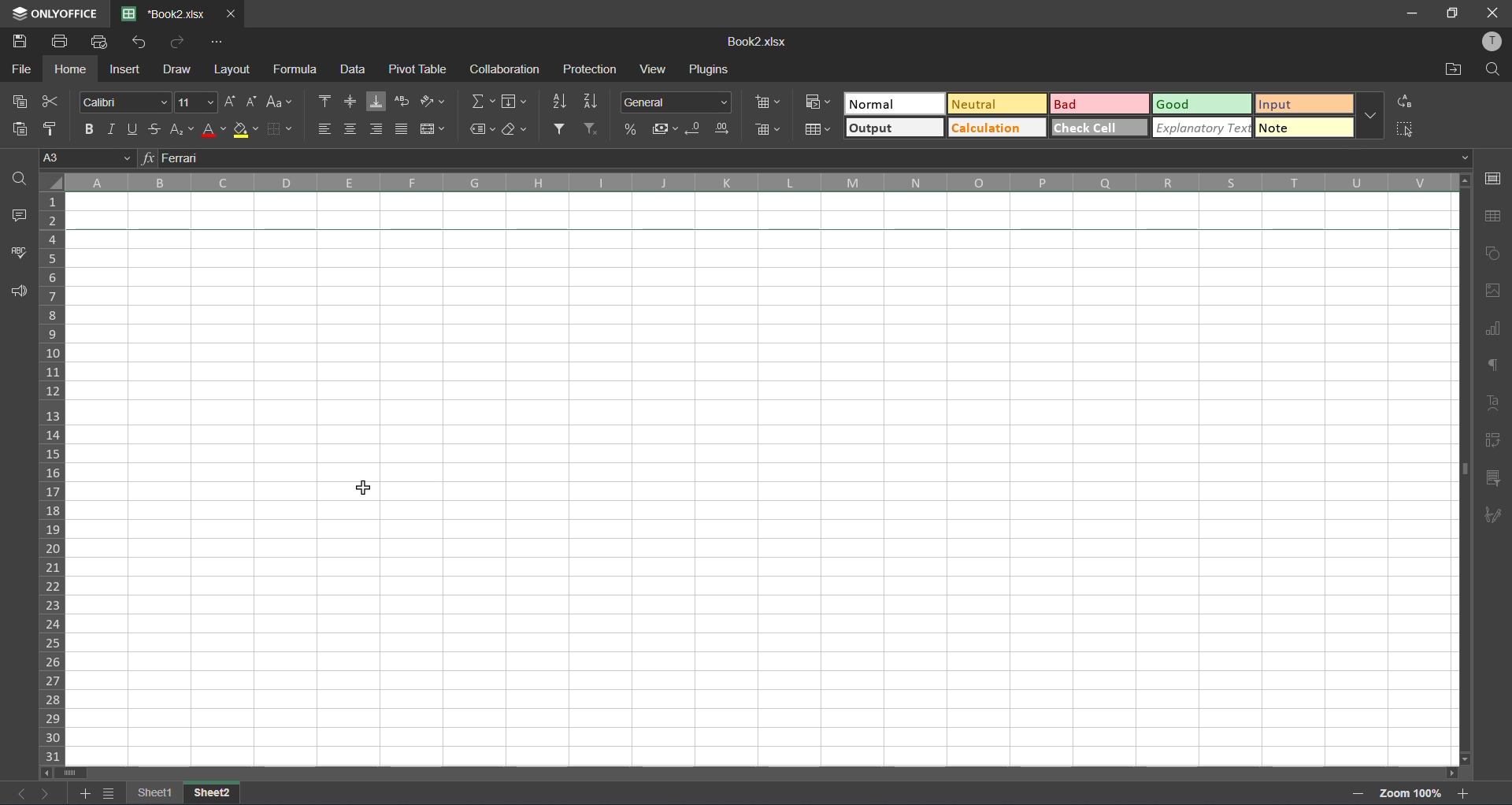 The width and height of the screenshot is (1512, 805). I want to click on sort ascending , so click(561, 102).